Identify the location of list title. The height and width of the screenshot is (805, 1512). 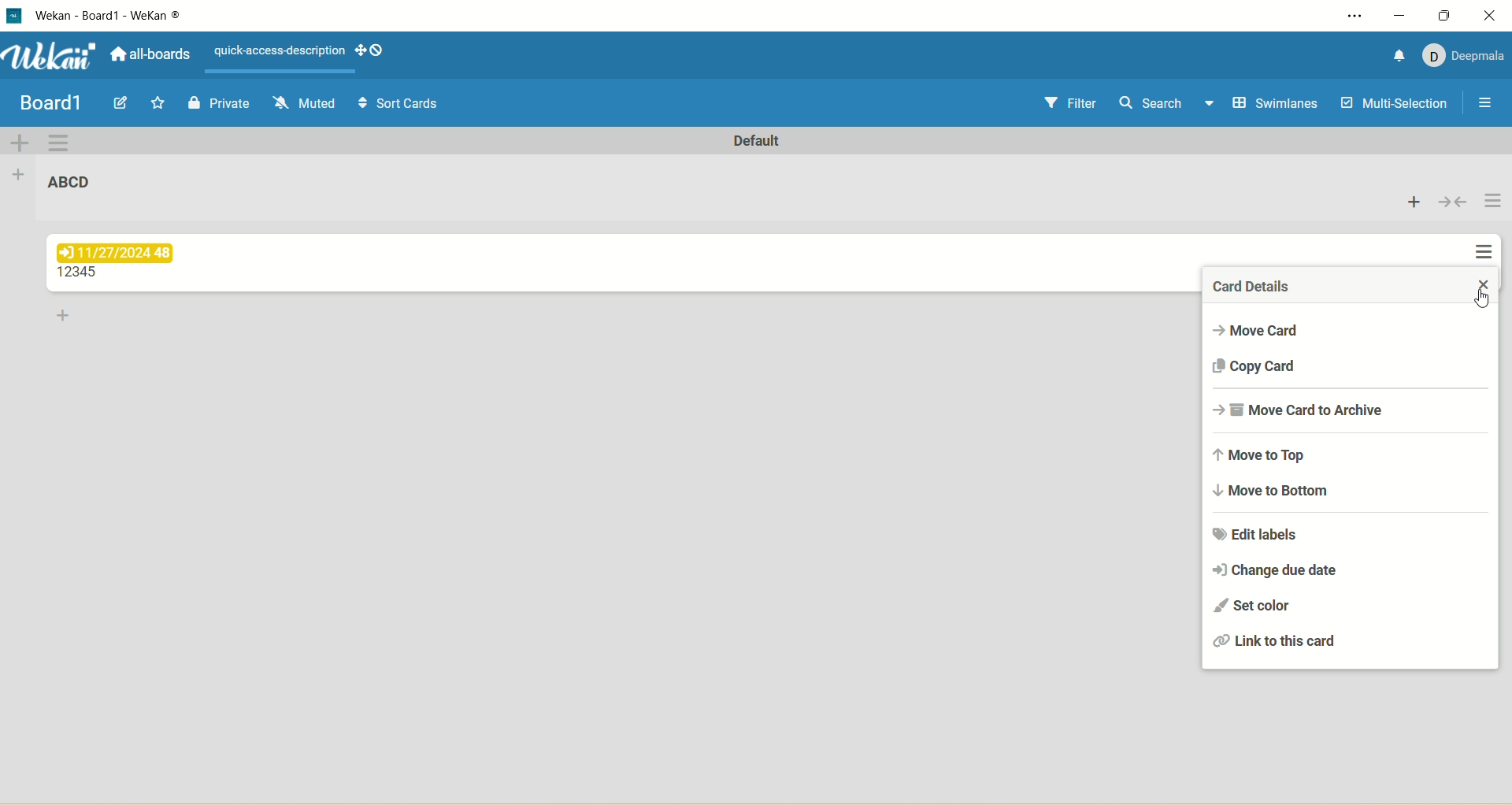
(70, 181).